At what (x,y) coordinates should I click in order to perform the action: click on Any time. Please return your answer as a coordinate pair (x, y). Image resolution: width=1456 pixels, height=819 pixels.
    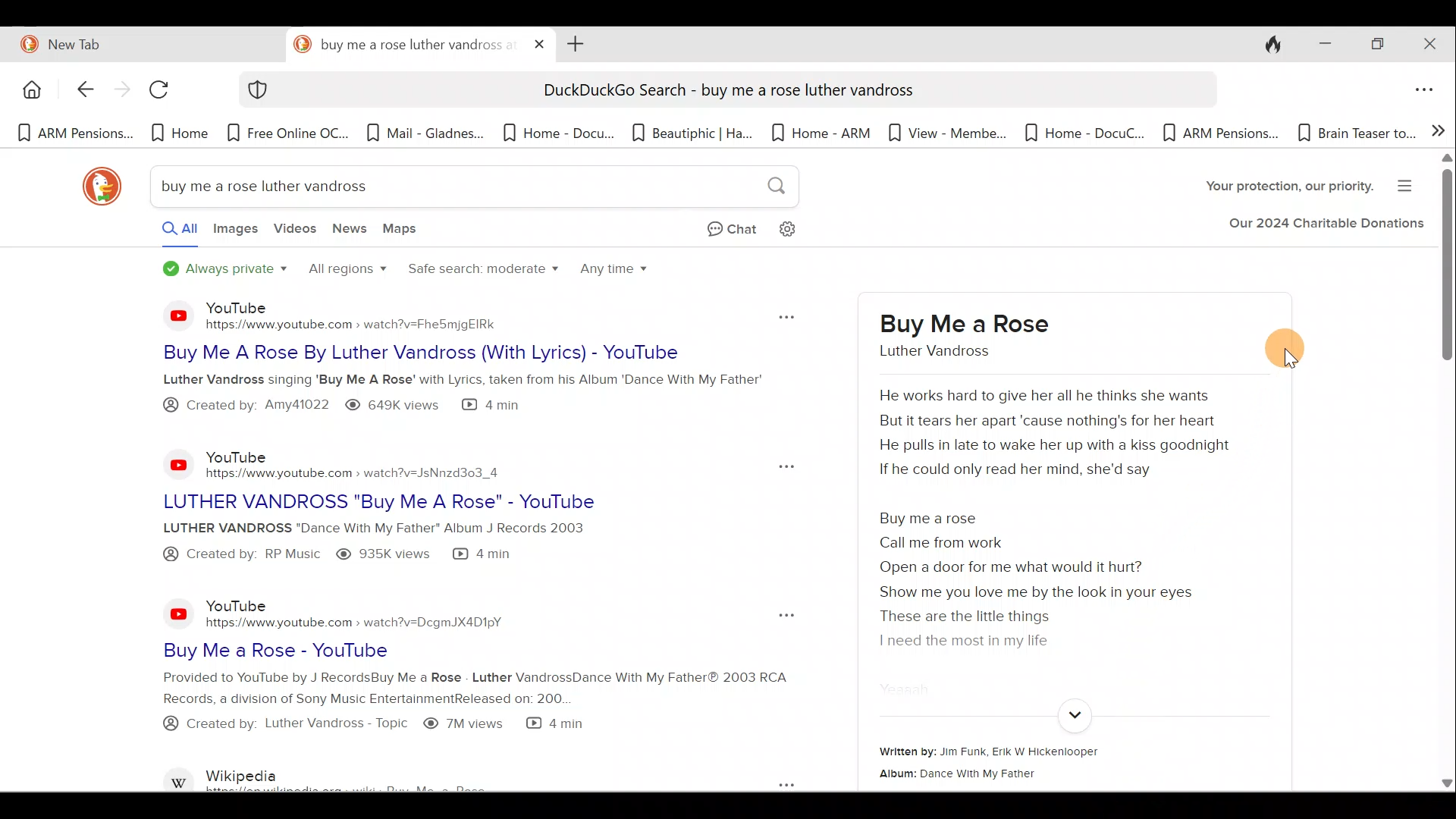
    Looking at the image, I should click on (616, 273).